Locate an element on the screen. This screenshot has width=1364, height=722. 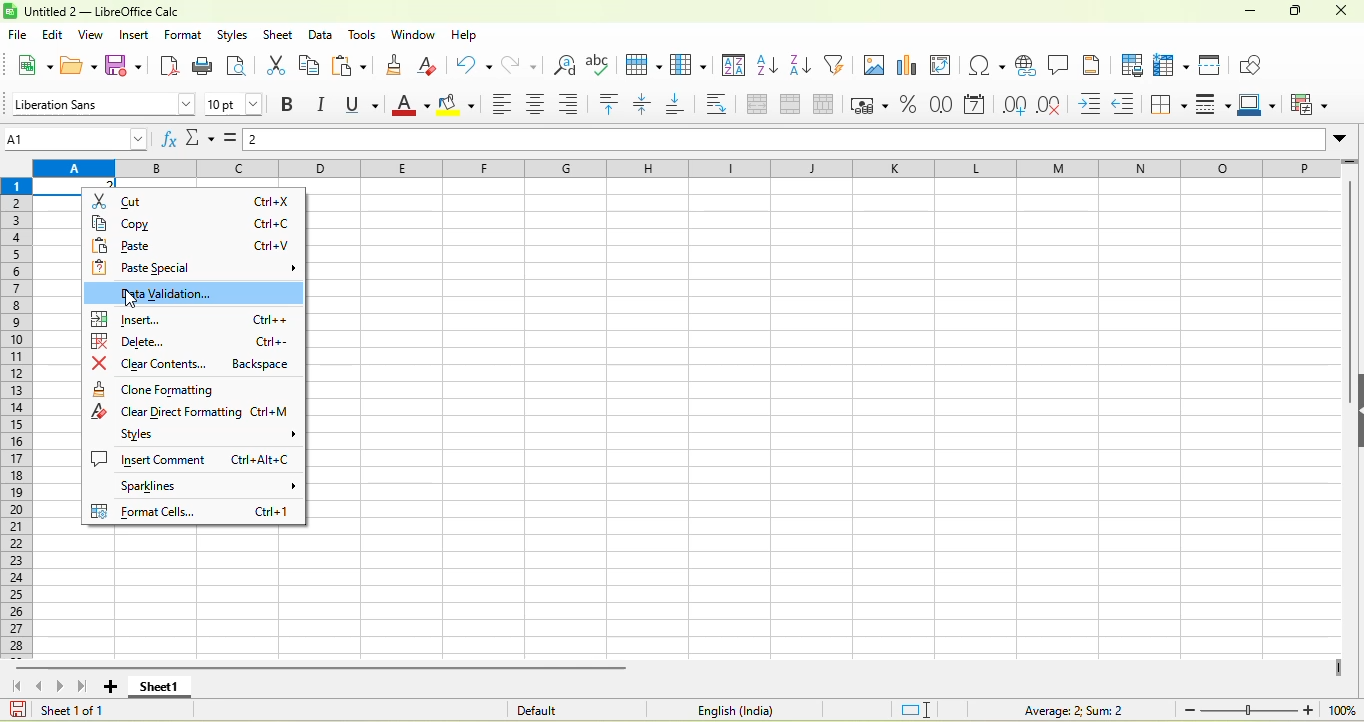
vertical scroll bar is located at coordinates (1347, 300).